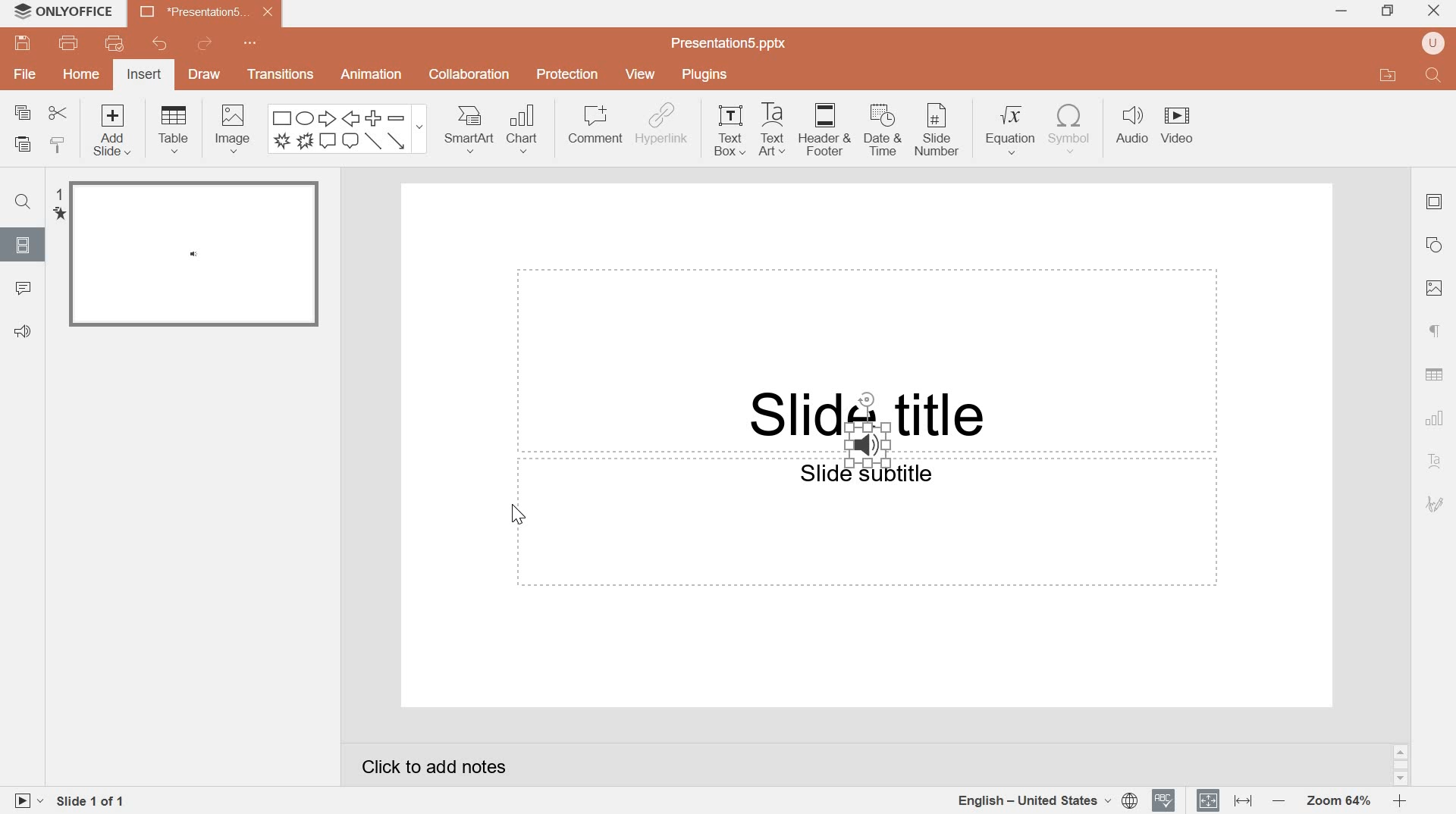 Image resolution: width=1456 pixels, height=814 pixels. I want to click on Plugins, so click(704, 73).